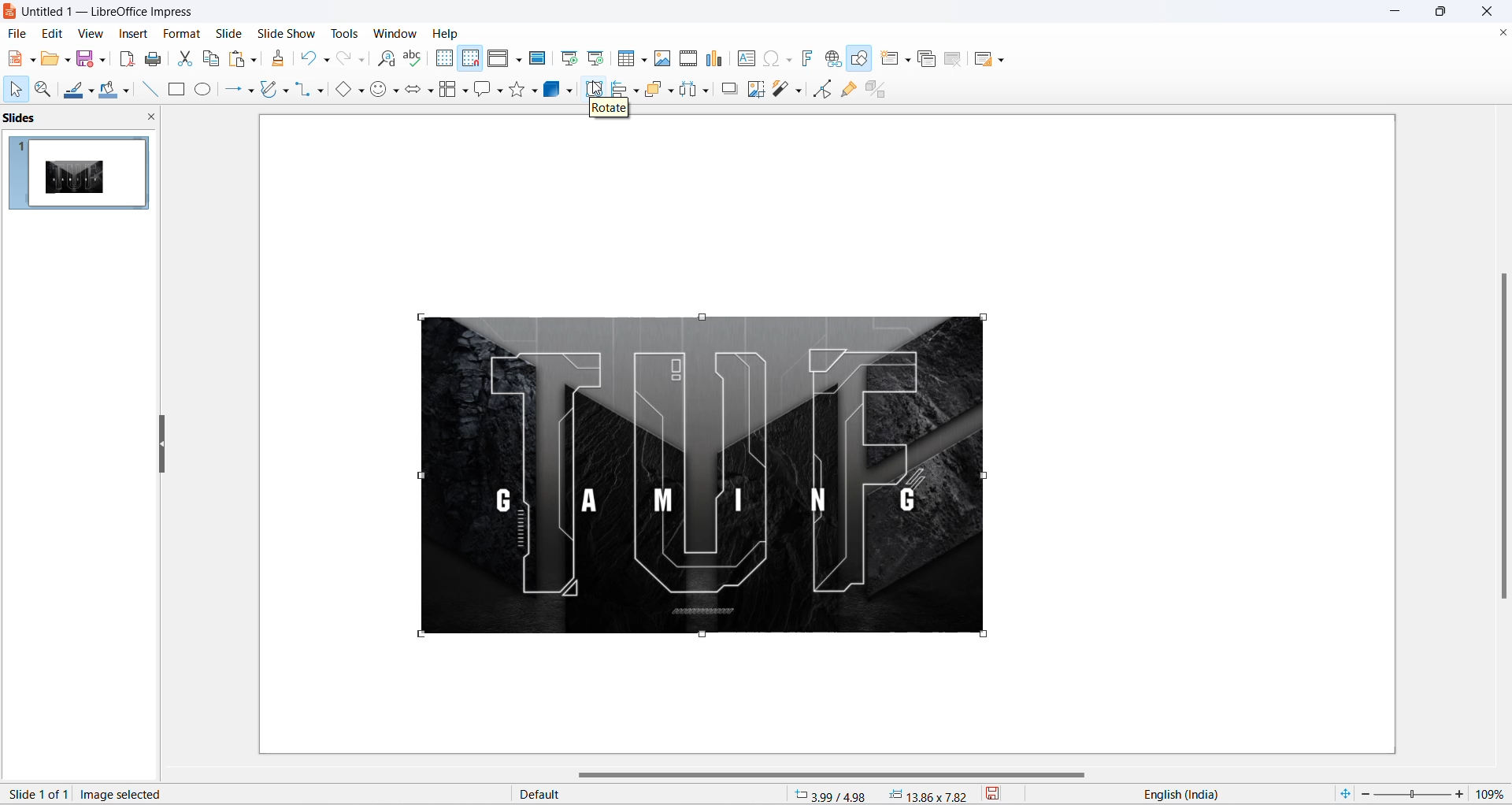  I want to click on rectangle, so click(176, 91).